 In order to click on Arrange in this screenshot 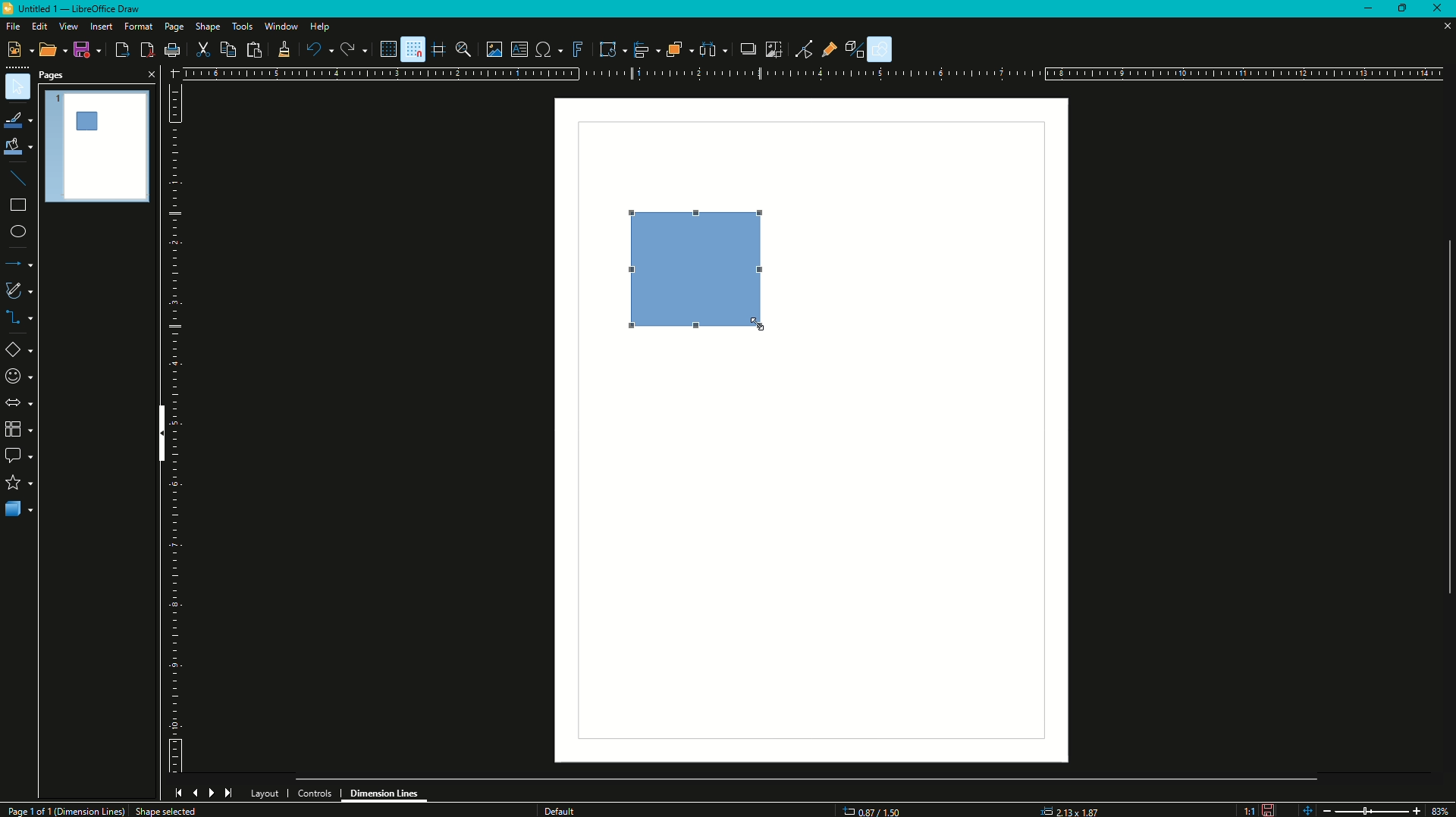, I will do `click(678, 49)`.